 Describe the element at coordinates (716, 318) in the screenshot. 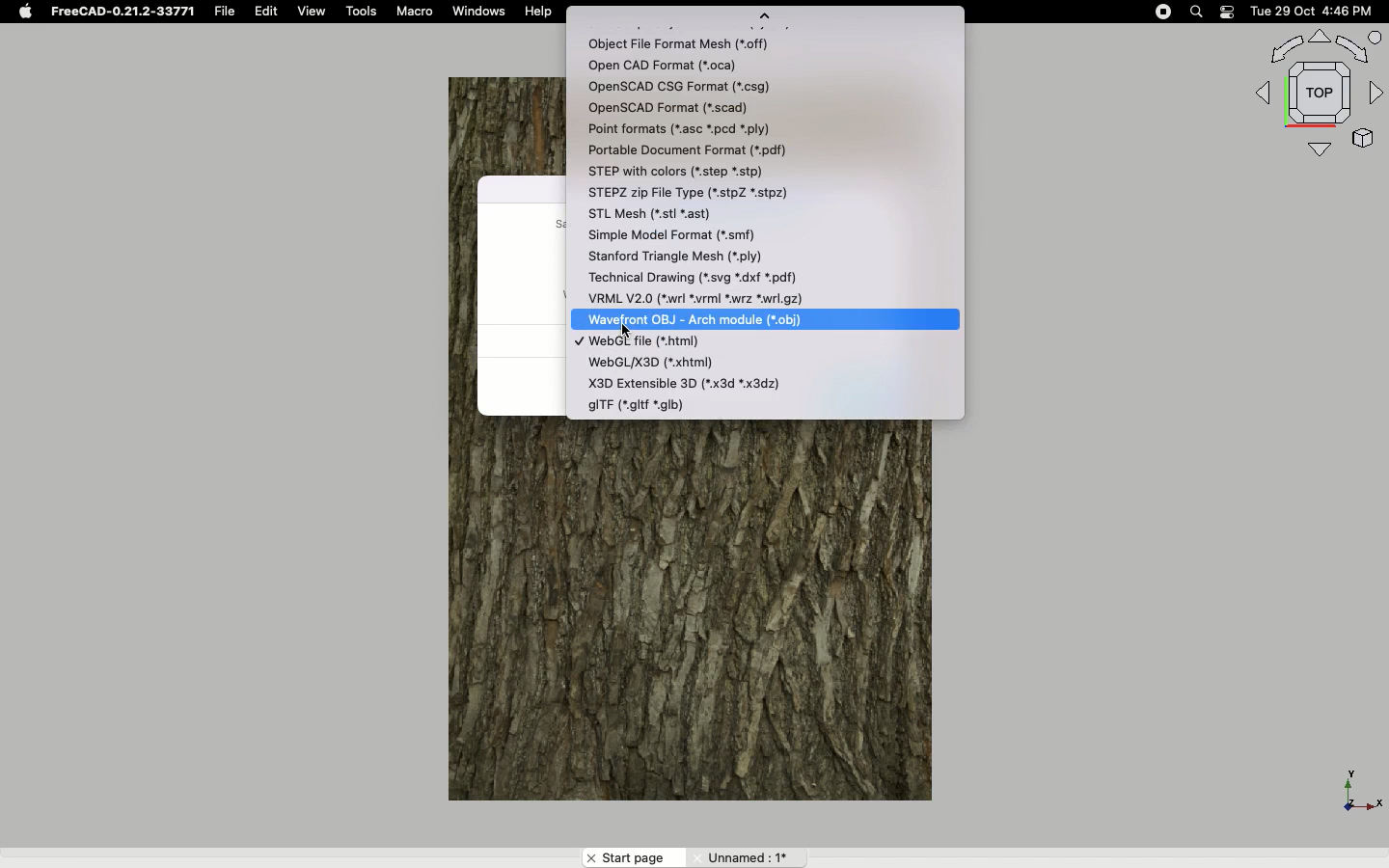

I see `Wavefront OBJ- arch module(*.obj)` at that location.